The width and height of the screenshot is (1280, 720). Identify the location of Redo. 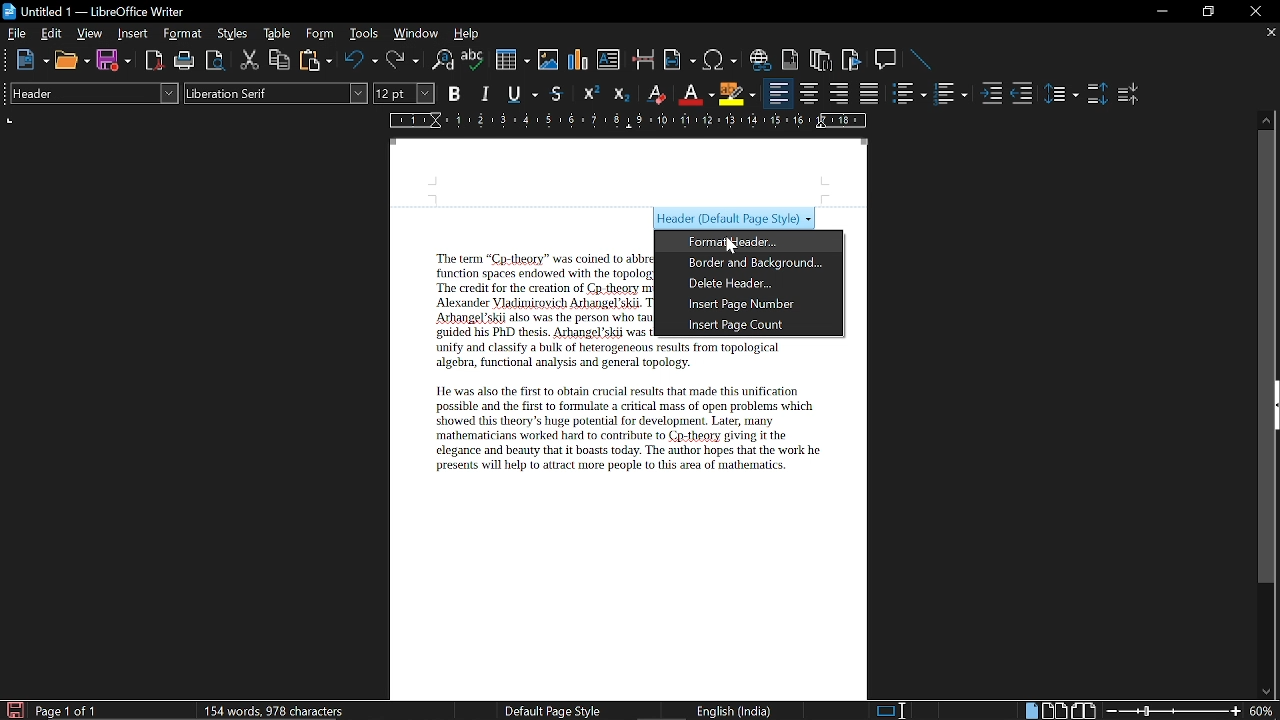
(402, 60).